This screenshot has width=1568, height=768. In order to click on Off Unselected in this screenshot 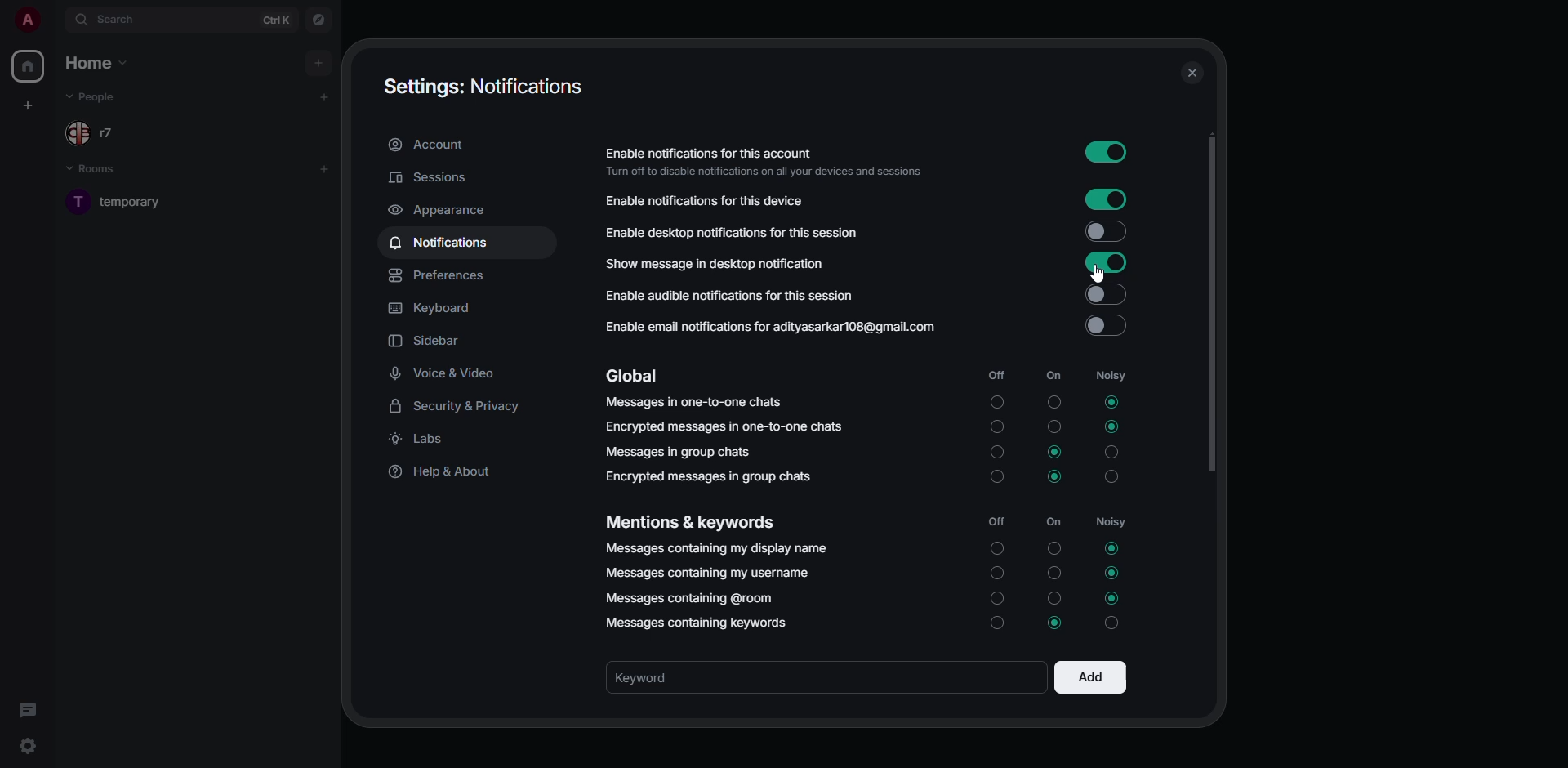, I will do `click(998, 404)`.